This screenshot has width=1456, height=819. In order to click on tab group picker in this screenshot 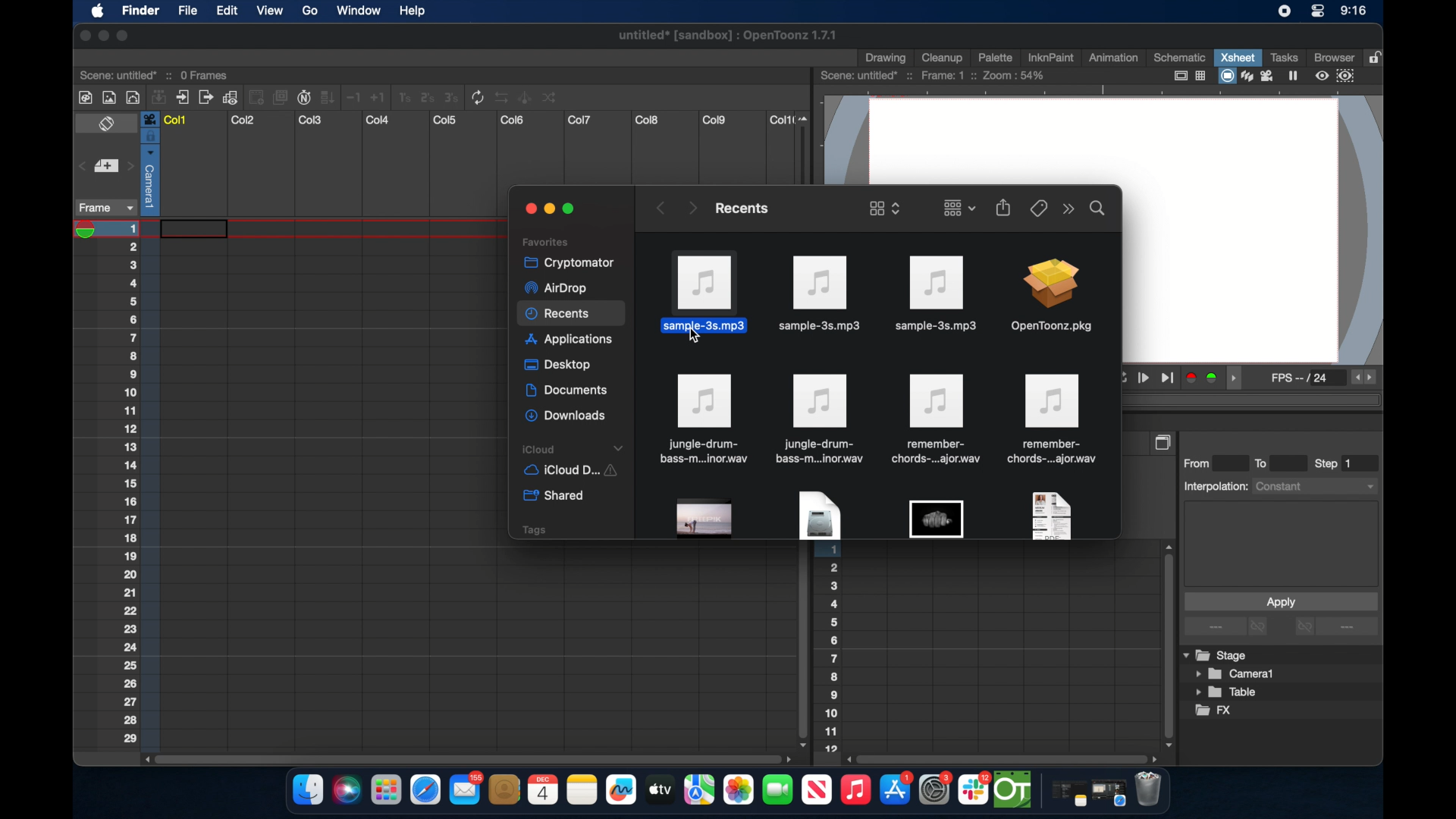, I will do `click(959, 207)`.